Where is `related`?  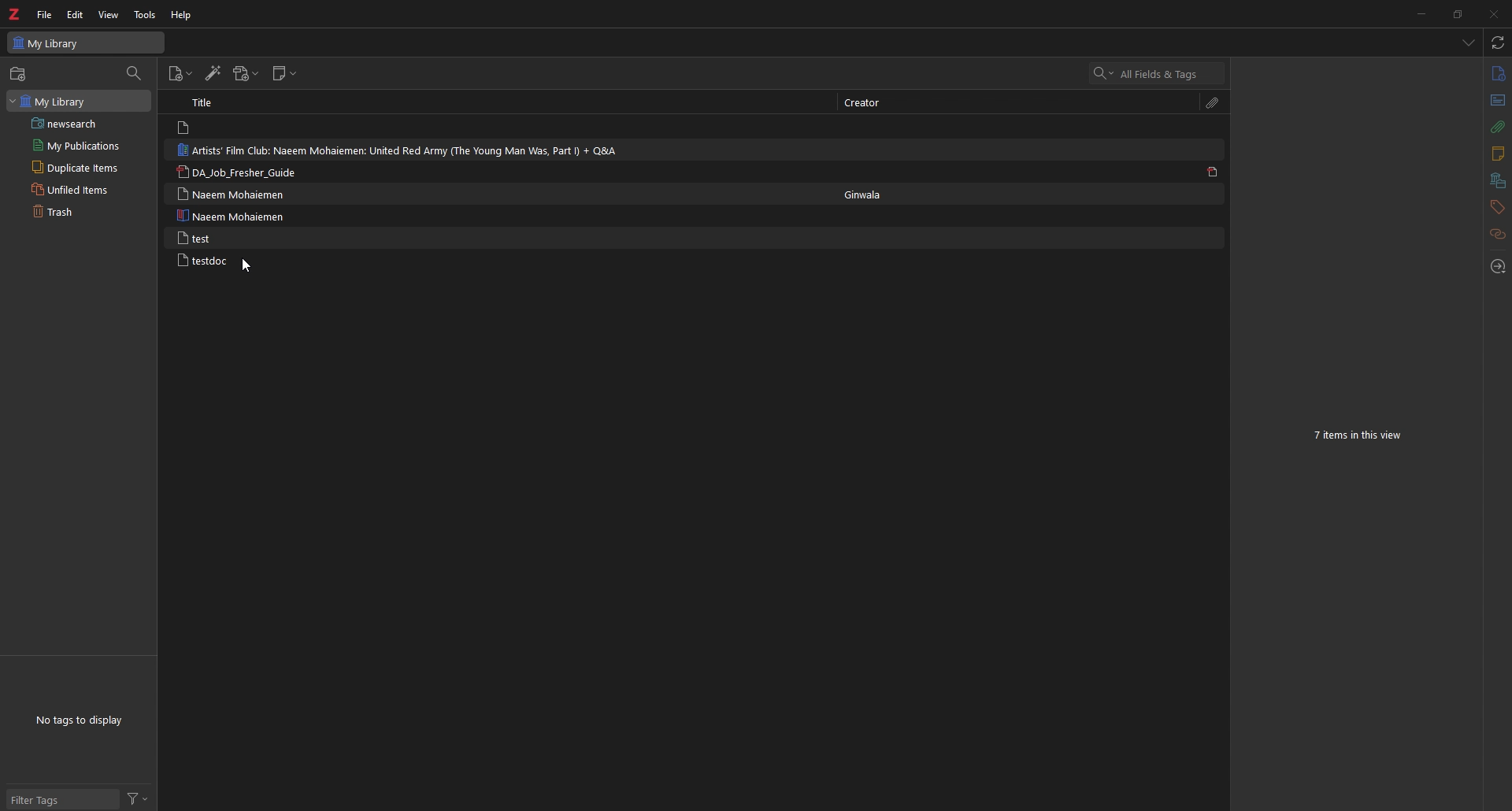
related is located at coordinates (1499, 235).